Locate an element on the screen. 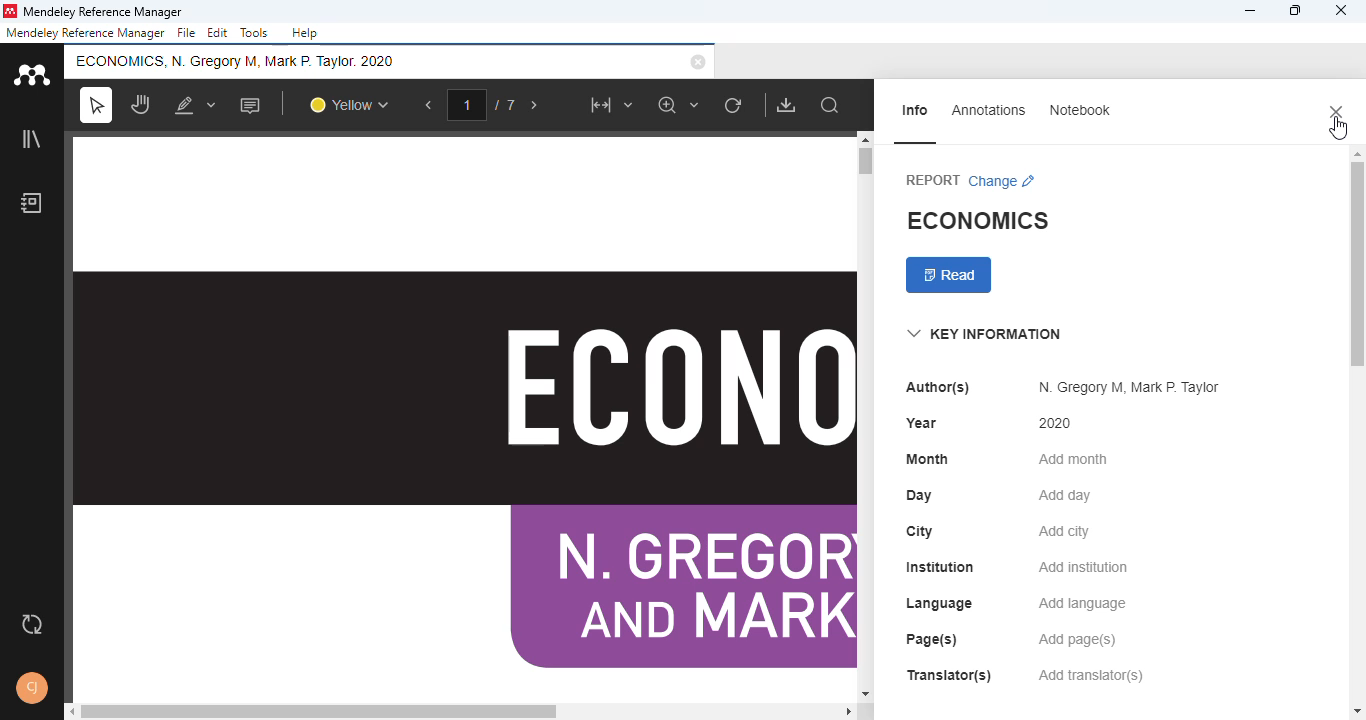 Image resolution: width=1366 pixels, height=720 pixels. day is located at coordinates (920, 497).